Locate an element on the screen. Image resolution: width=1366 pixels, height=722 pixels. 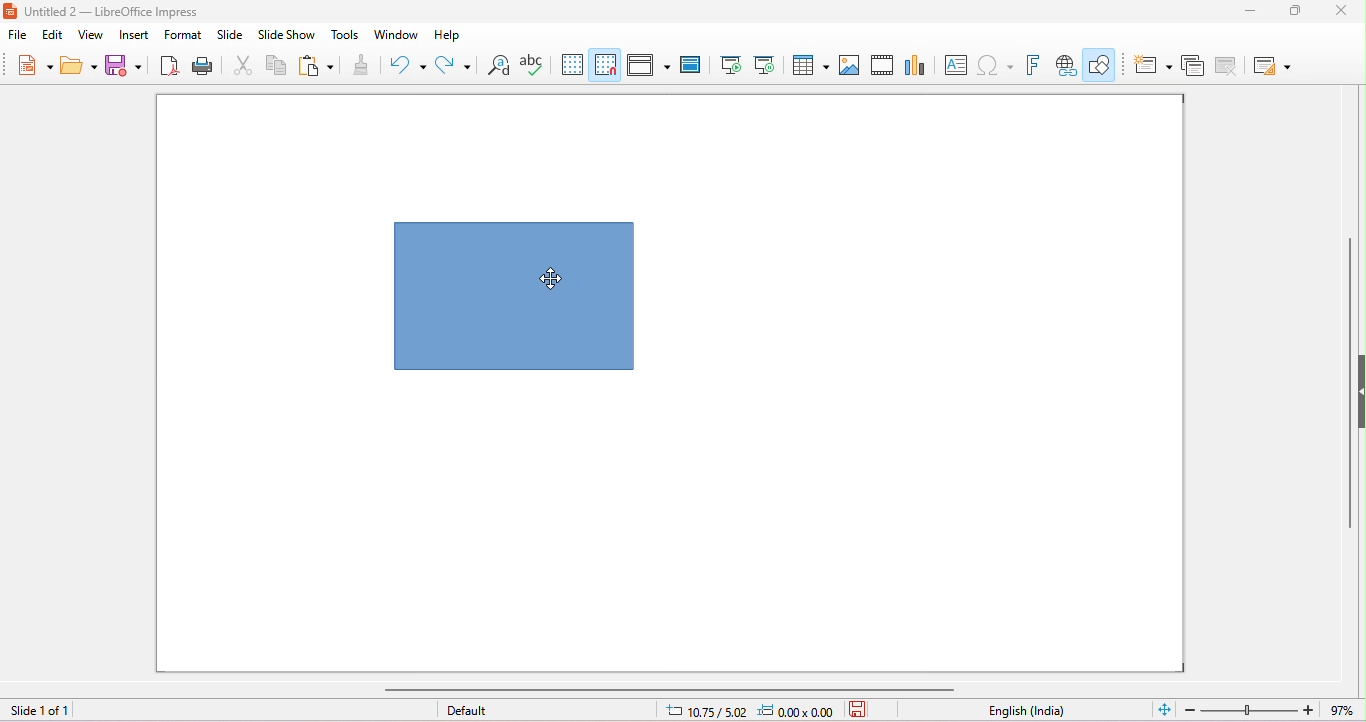
display grid is located at coordinates (573, 64).